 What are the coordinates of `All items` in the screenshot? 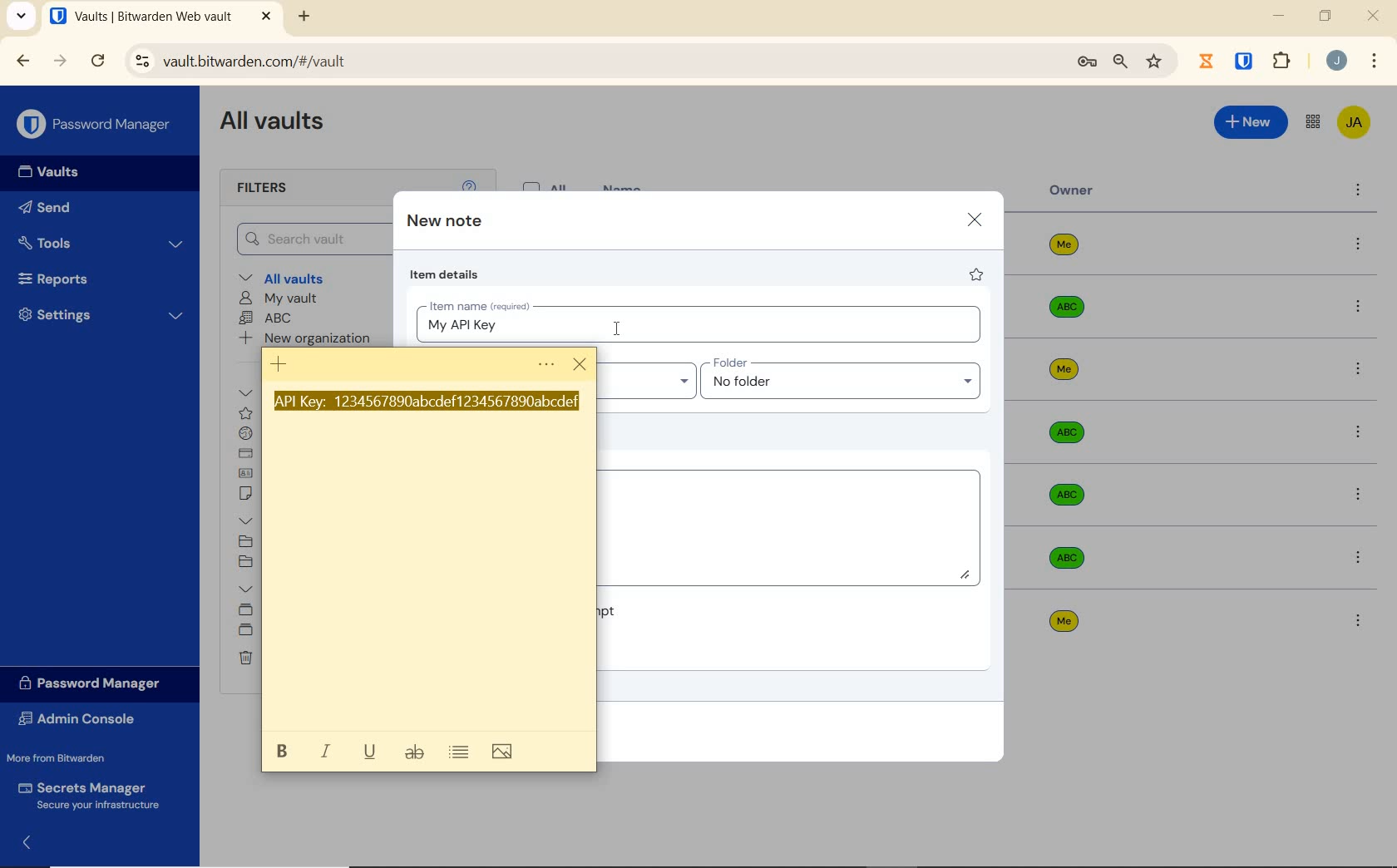 It's located at (248, 394).